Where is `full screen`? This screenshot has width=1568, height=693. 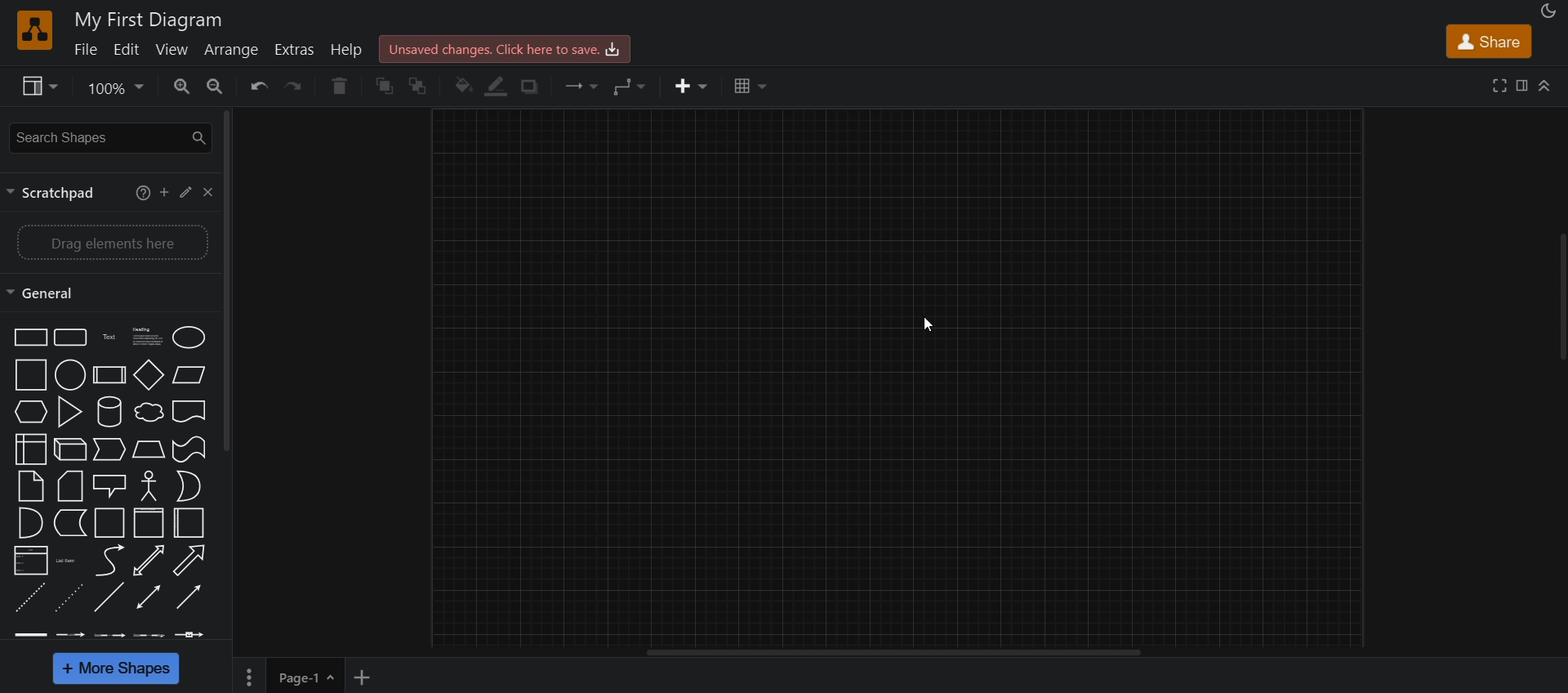 full screen is located at coordinates (1502, 85).